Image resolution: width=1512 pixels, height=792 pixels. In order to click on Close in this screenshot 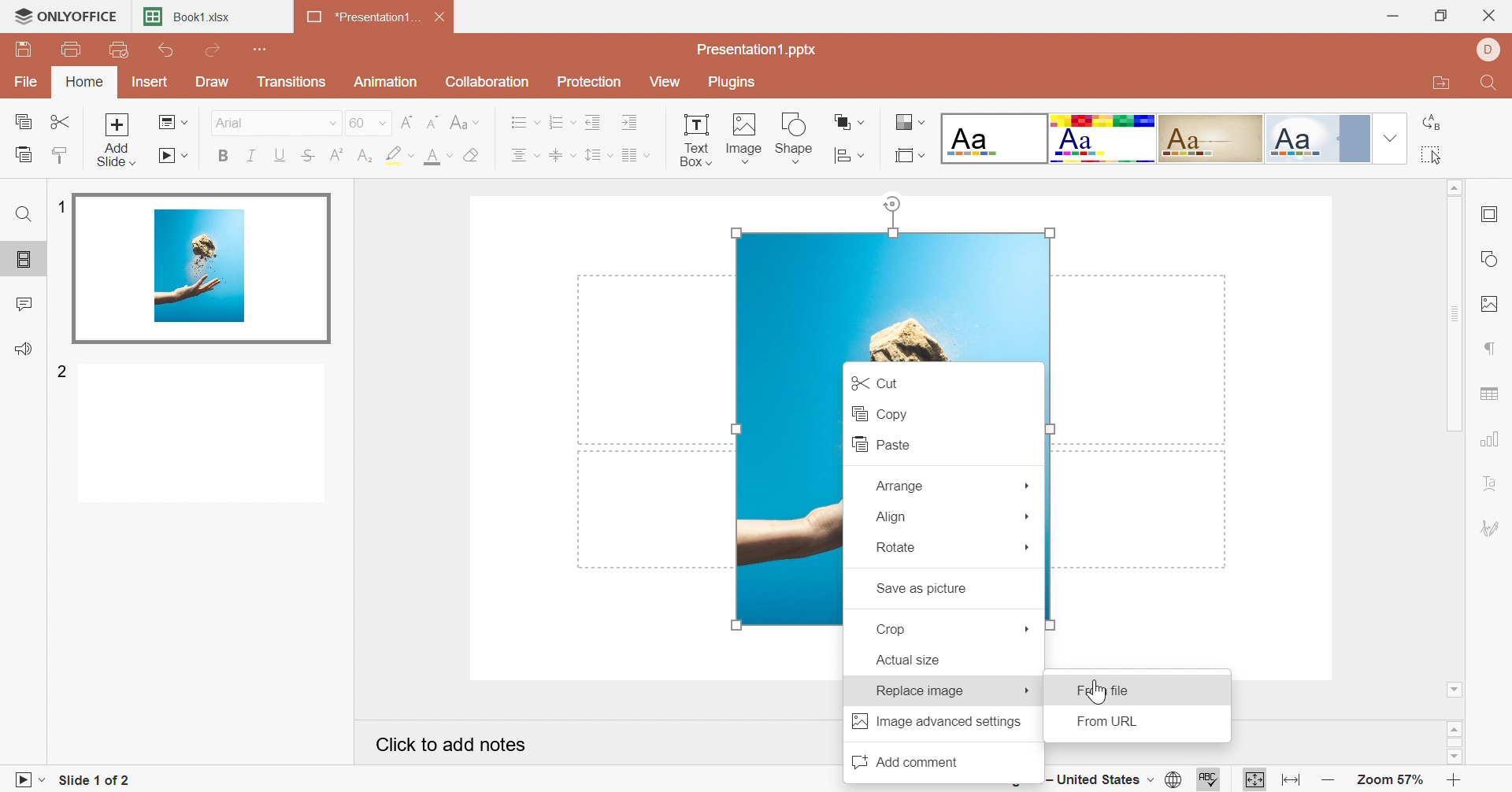, I will do `click(442, 15)`.